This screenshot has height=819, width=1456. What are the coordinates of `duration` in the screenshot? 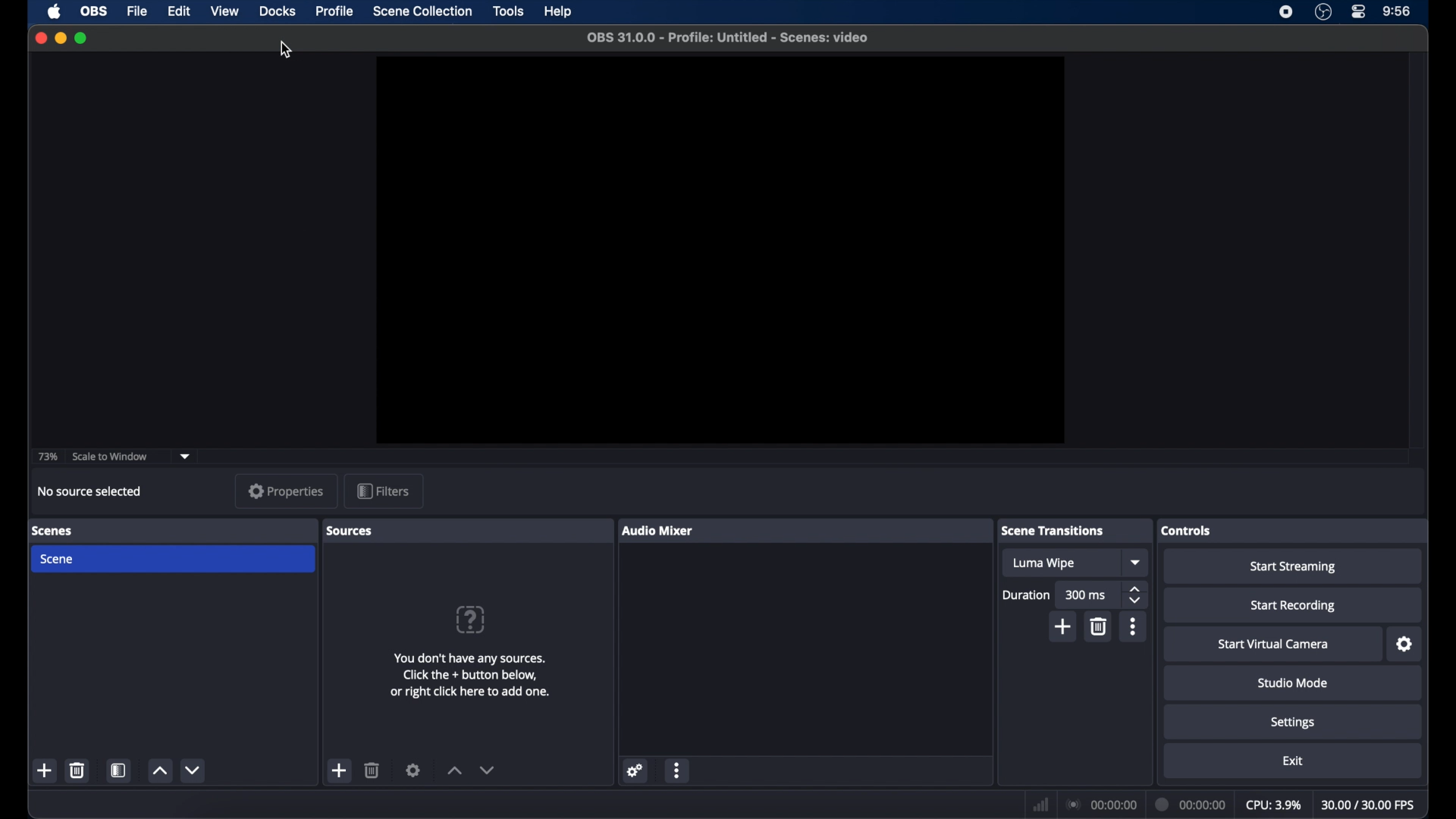 It's located at (1026, 595).